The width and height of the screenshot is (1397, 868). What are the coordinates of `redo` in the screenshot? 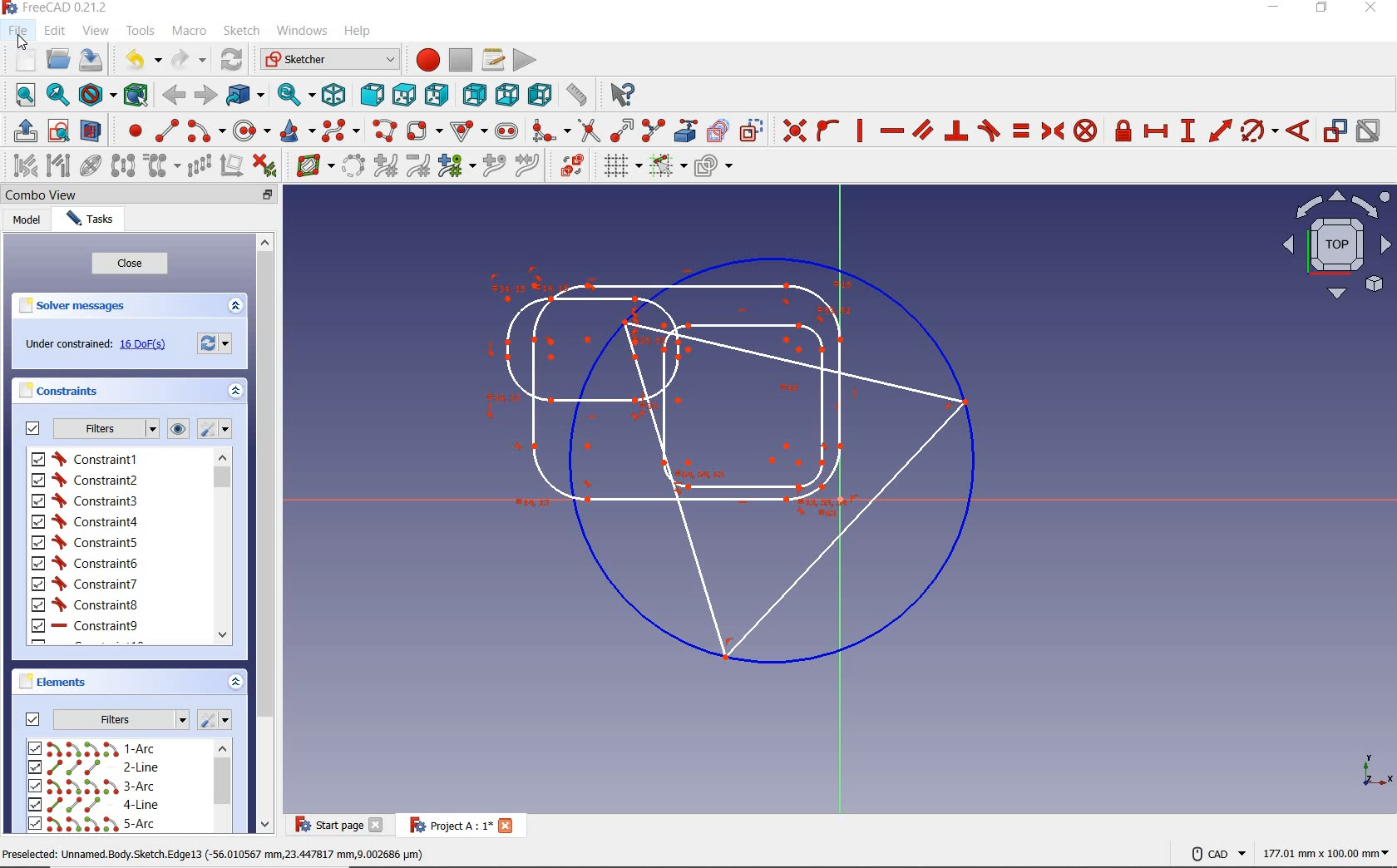 It's located at (190, 60).